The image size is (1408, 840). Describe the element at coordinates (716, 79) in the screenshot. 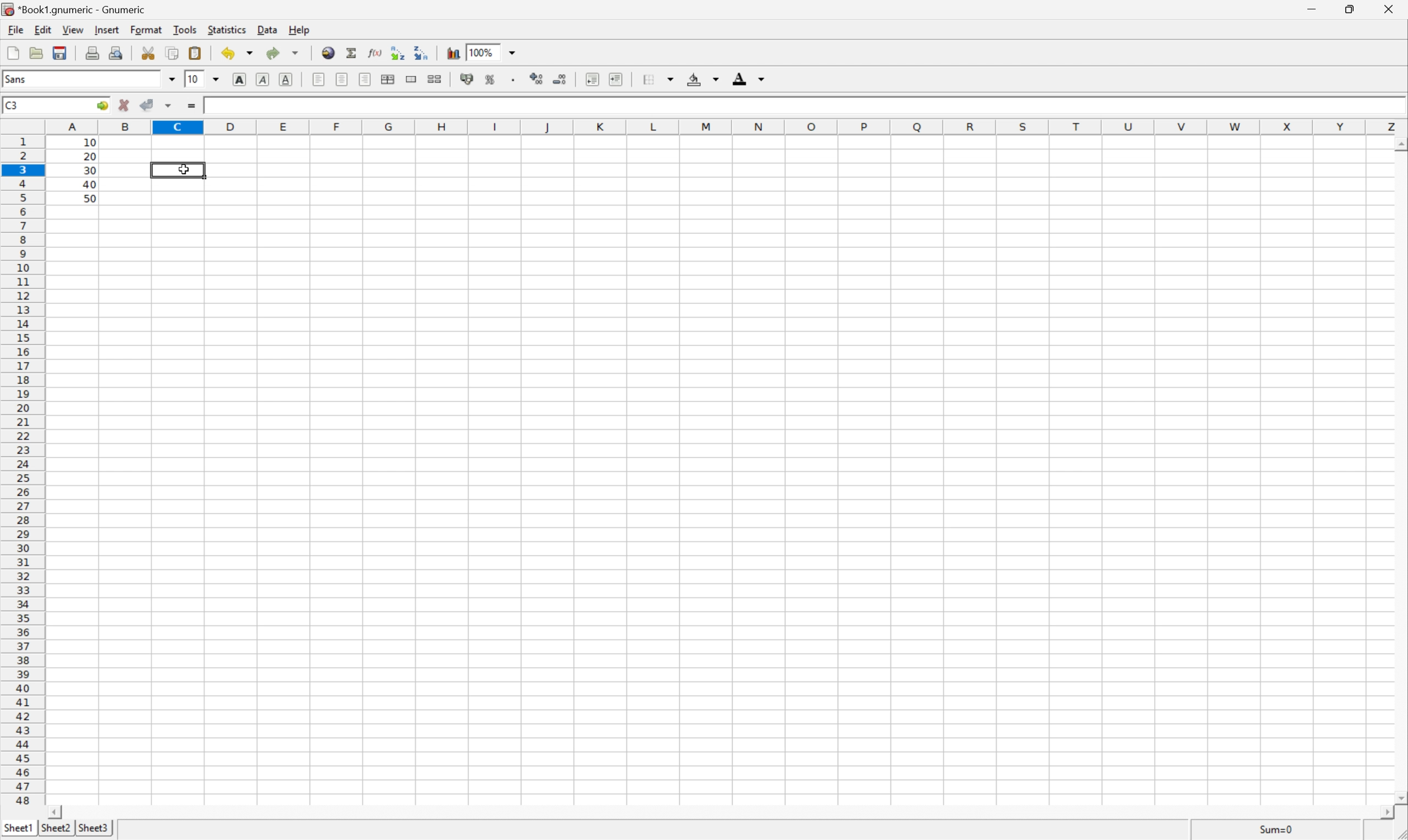

I see `Drop down` at that location.